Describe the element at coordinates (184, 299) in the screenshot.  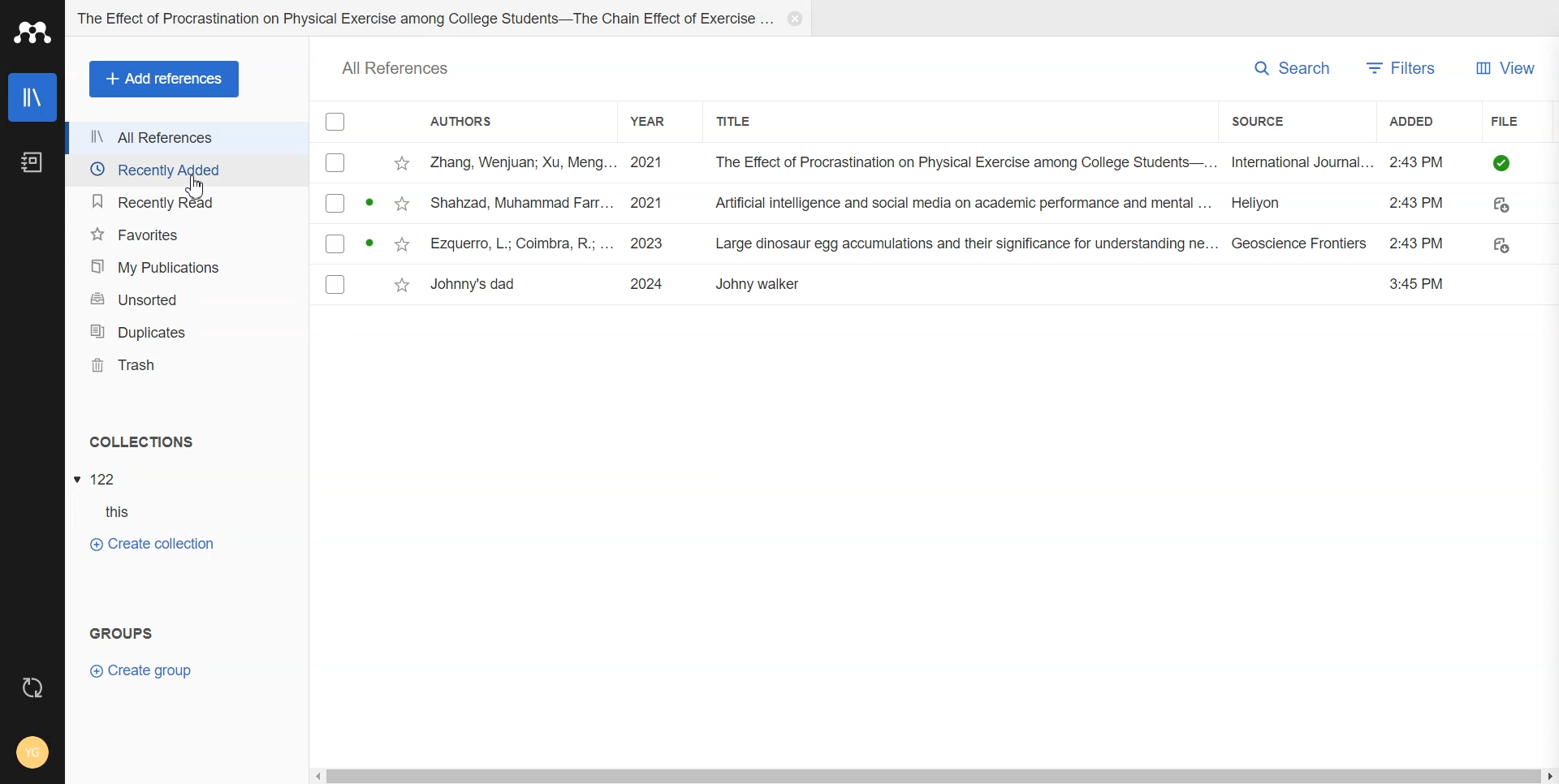
I see `Unsorted` at that location.